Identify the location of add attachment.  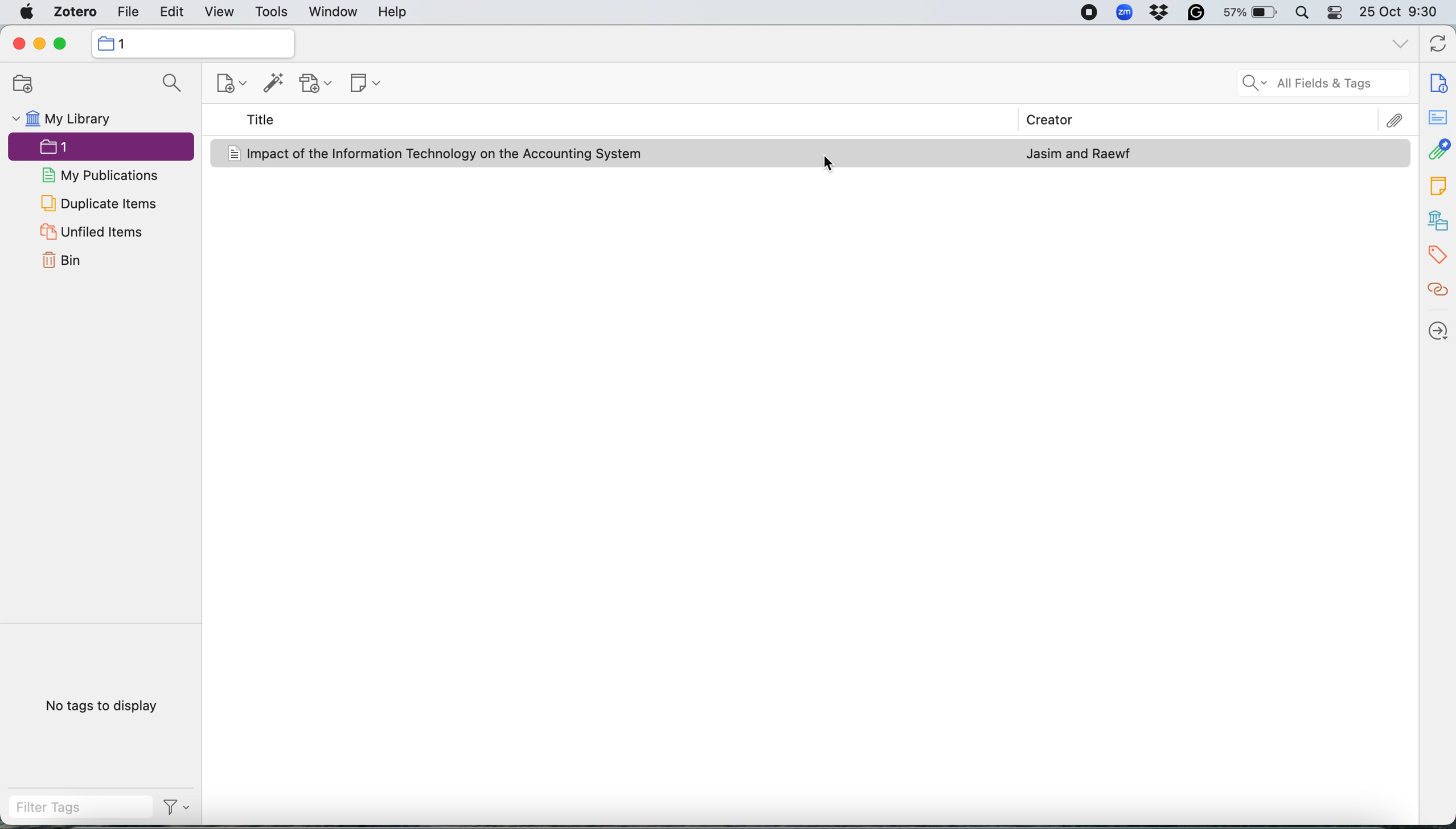
(317, 84).